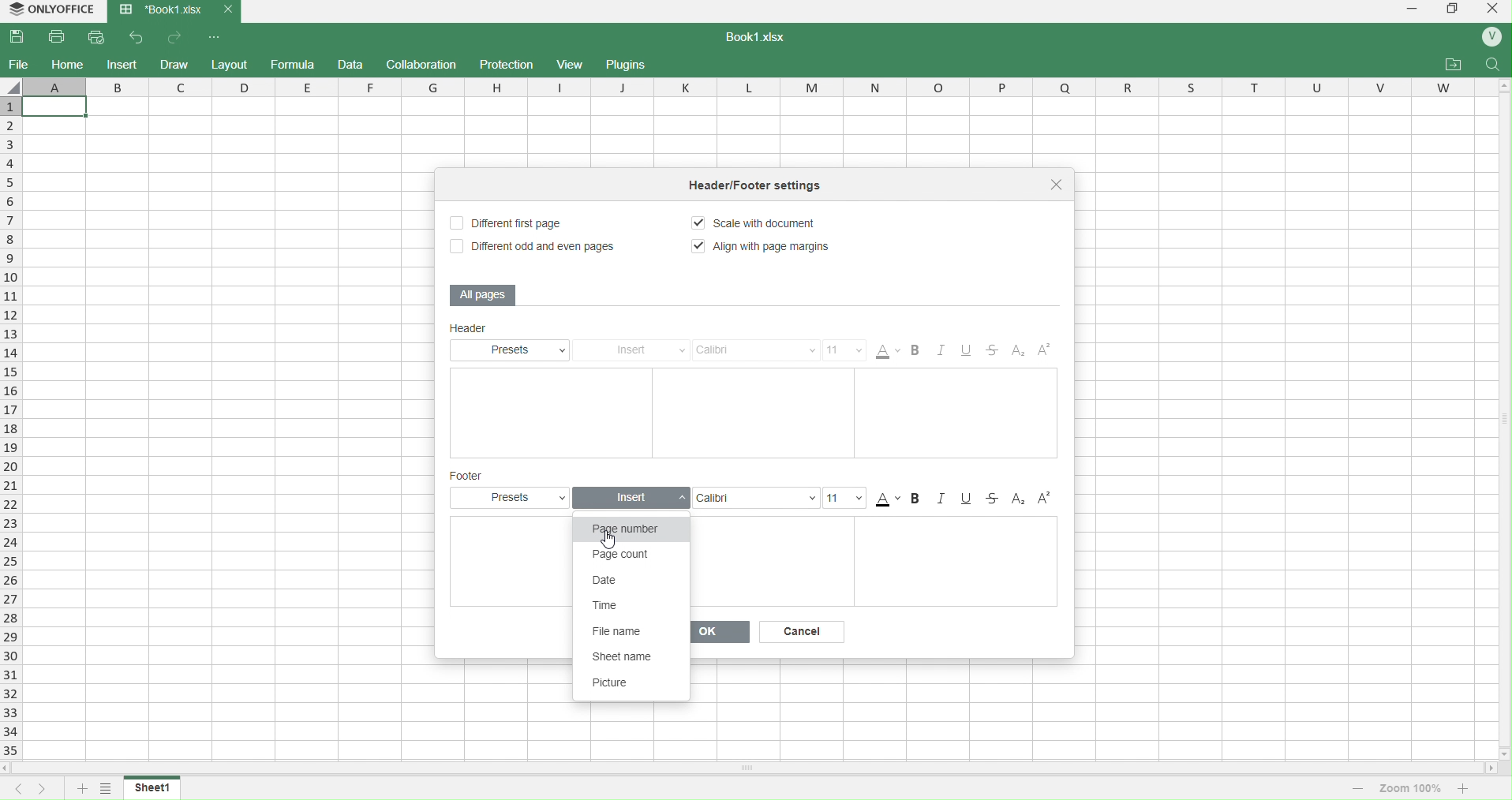 This screenshot has width=1512, height=800. I want to click on move left, so click(9, 768).